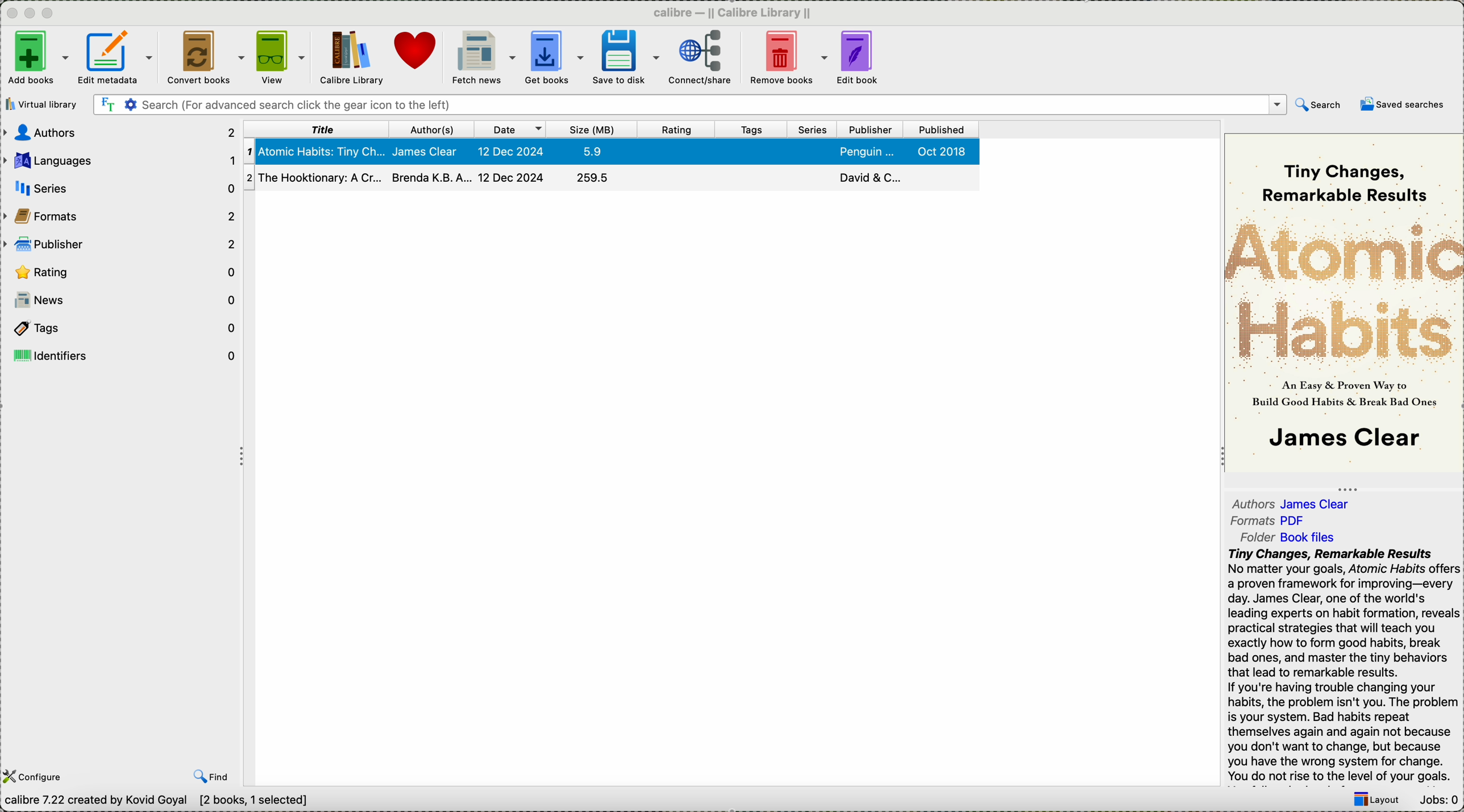 The height and width of the screenshot is (812, 1464). Describe the element at coordinates (38, 58) in the screenshot. I see `add books` at that location.